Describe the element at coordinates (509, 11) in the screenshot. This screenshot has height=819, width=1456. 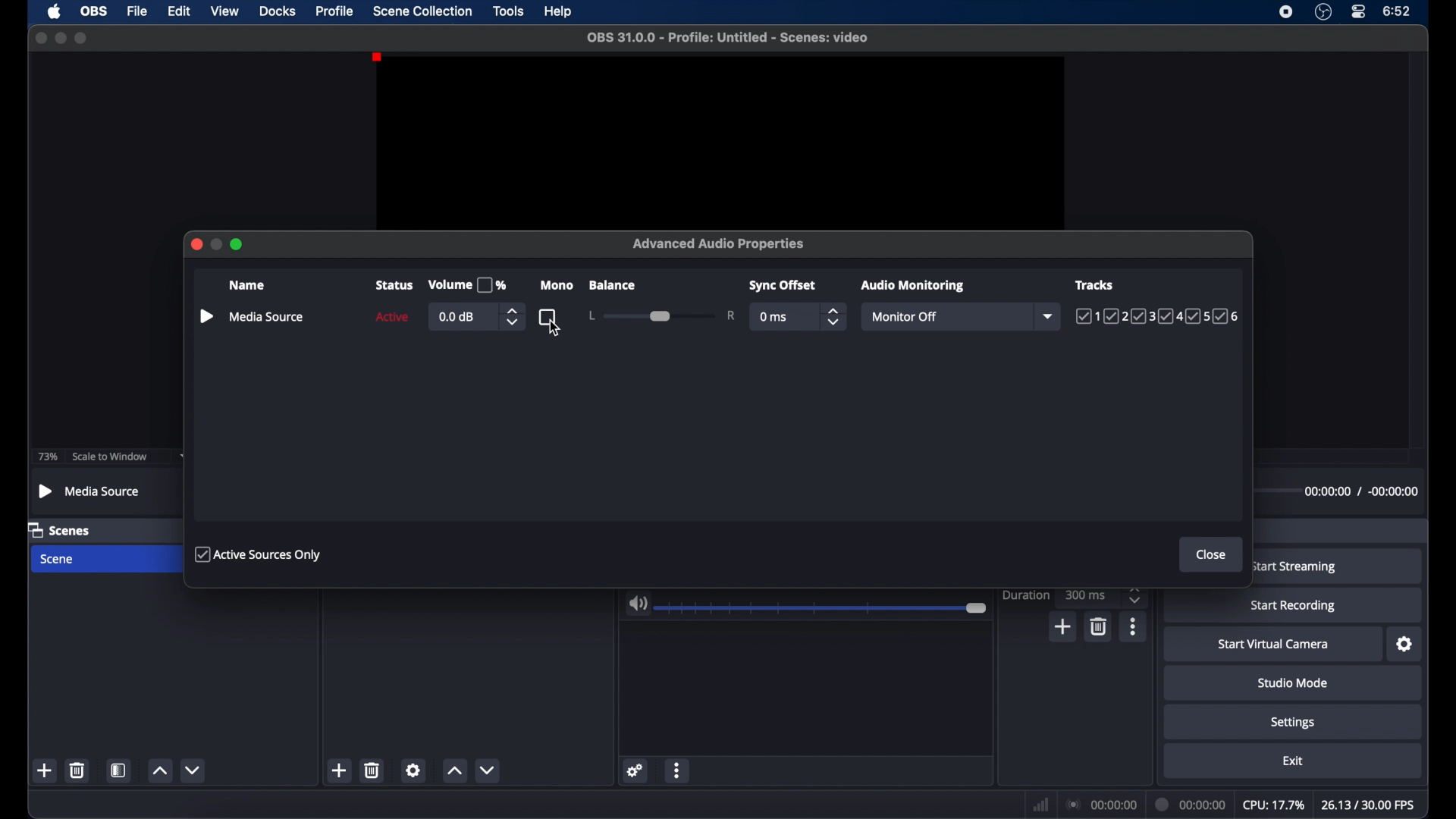
I see `tools` at that location.